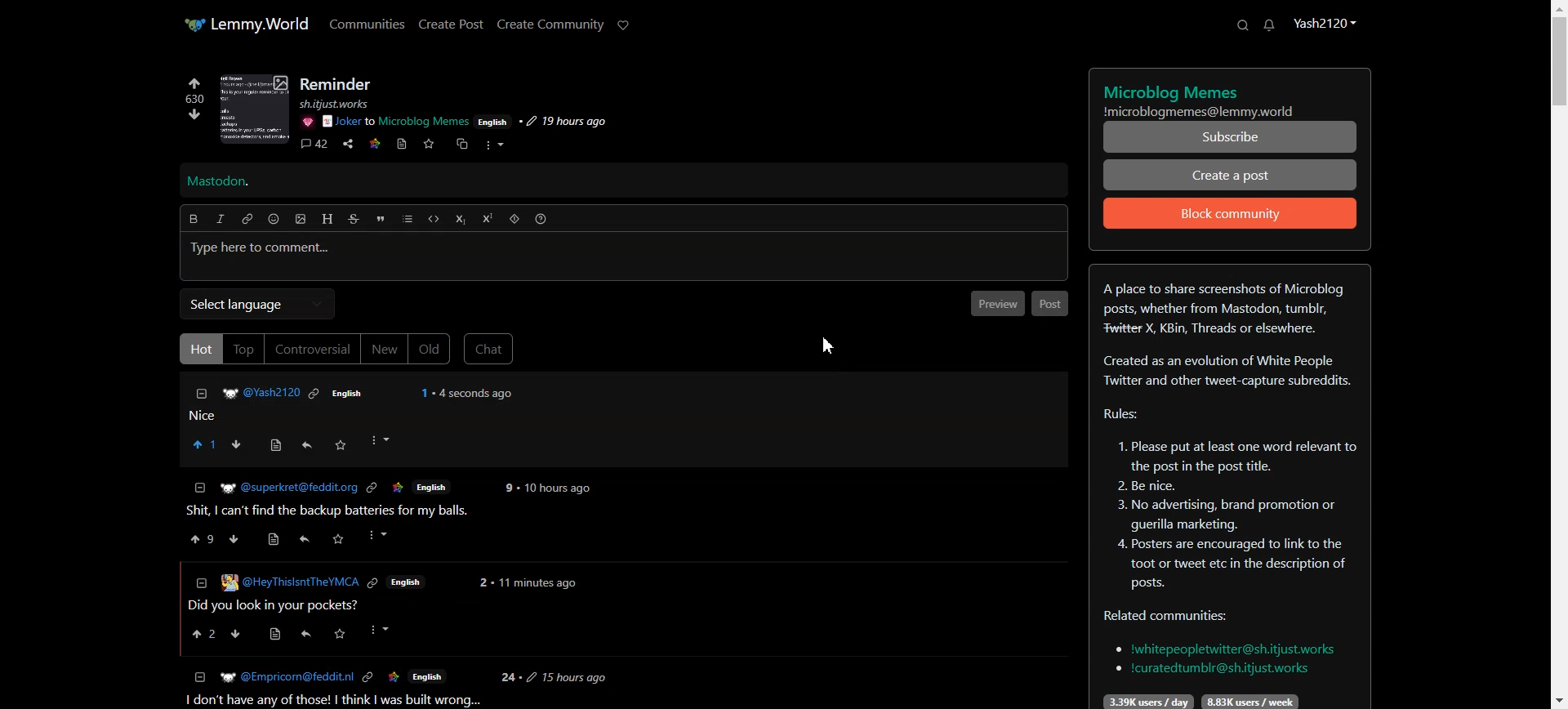 This screenshot has width=1568, height=709. What do you see at coordinates (305, 445) in the screenshot?
I see `Reply` at bounding box center [305, 445].